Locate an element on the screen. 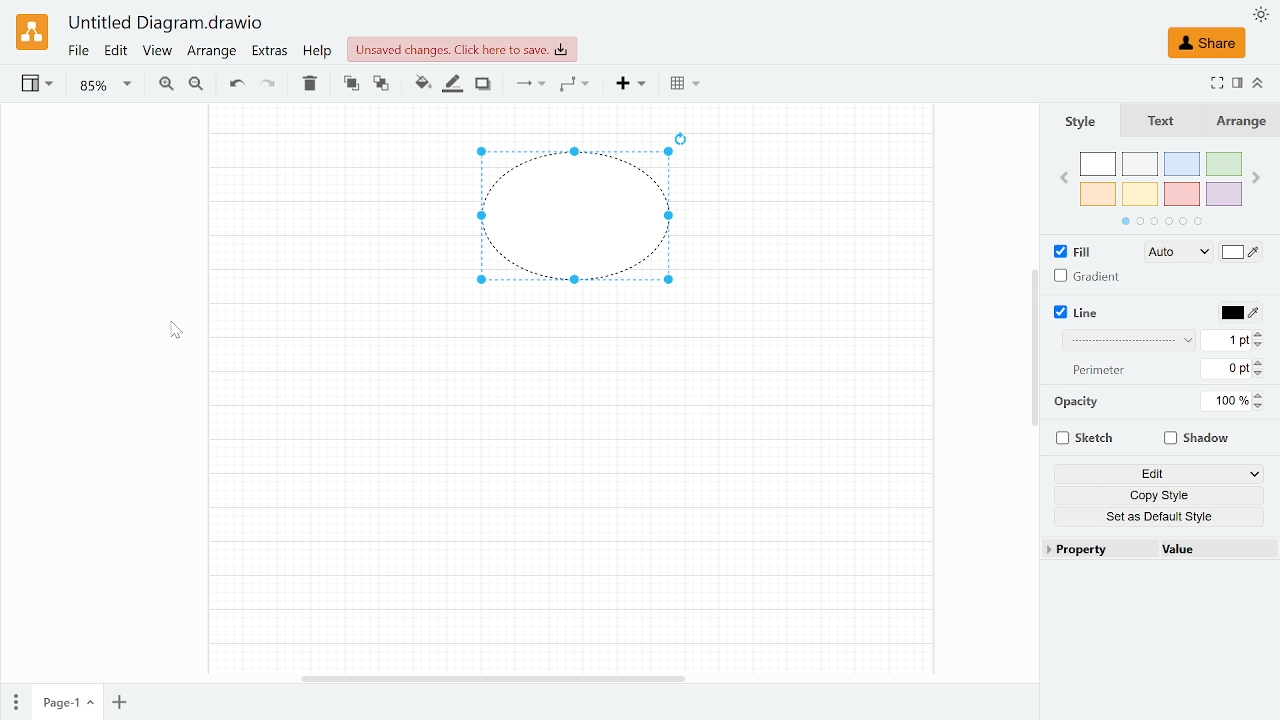 The height and width of the screenshot is (720, 1280). Fill line is located at coordinates (450, 85).